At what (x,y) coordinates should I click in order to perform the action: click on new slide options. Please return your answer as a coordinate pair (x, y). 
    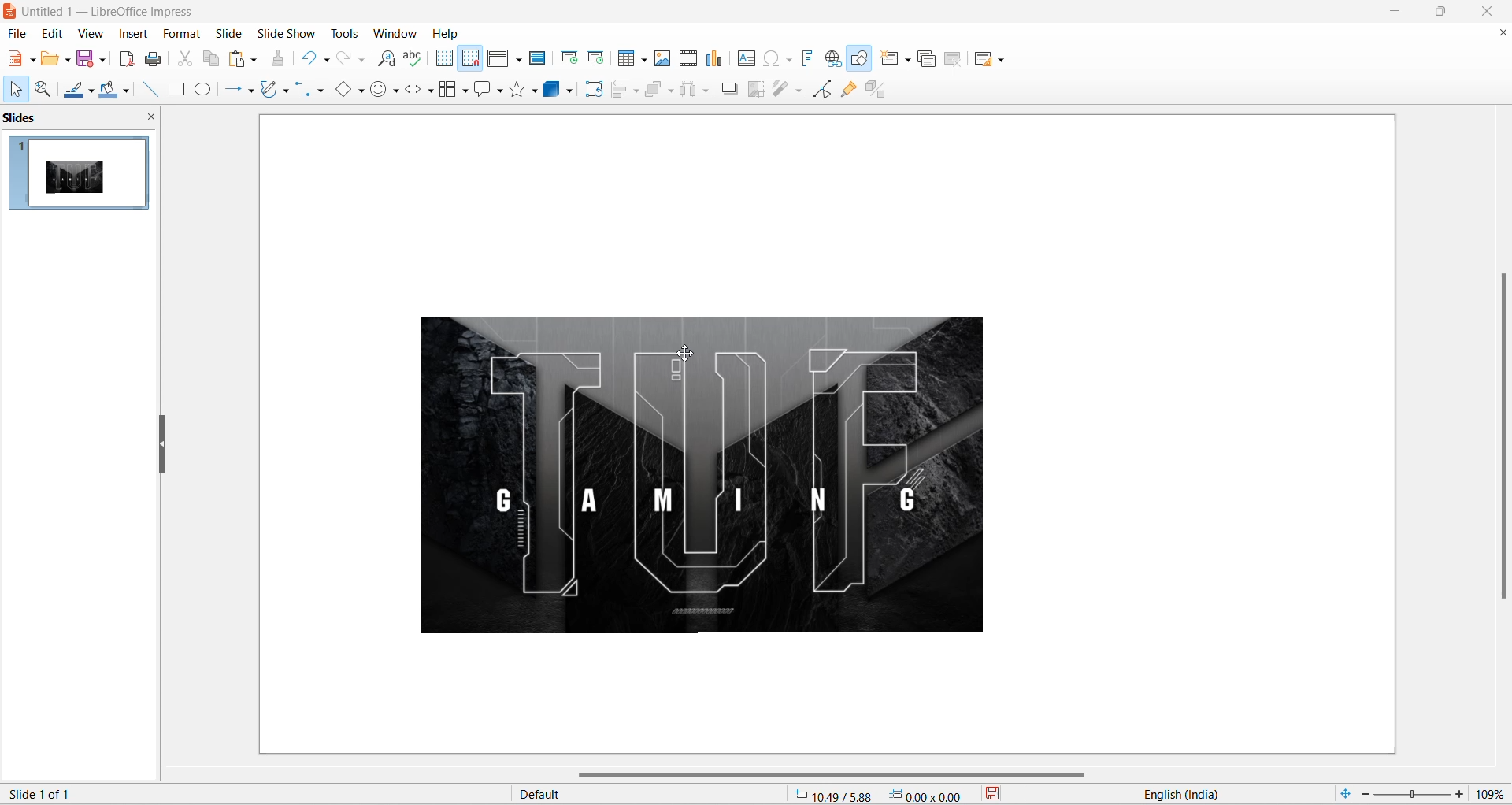
    Looking at the image, I should click on (910, 60).